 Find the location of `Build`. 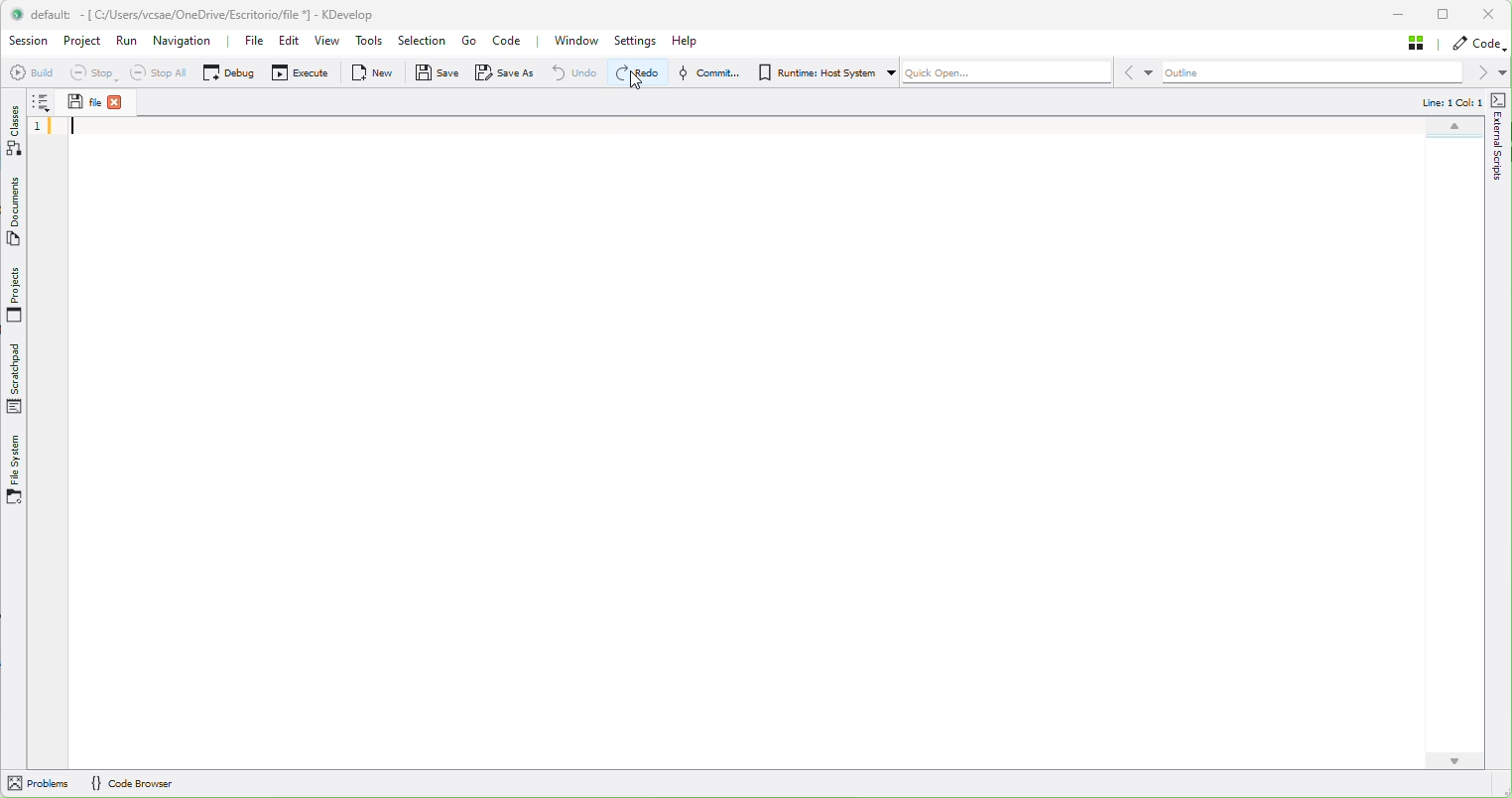

Build is located at coordinates (30, 71).